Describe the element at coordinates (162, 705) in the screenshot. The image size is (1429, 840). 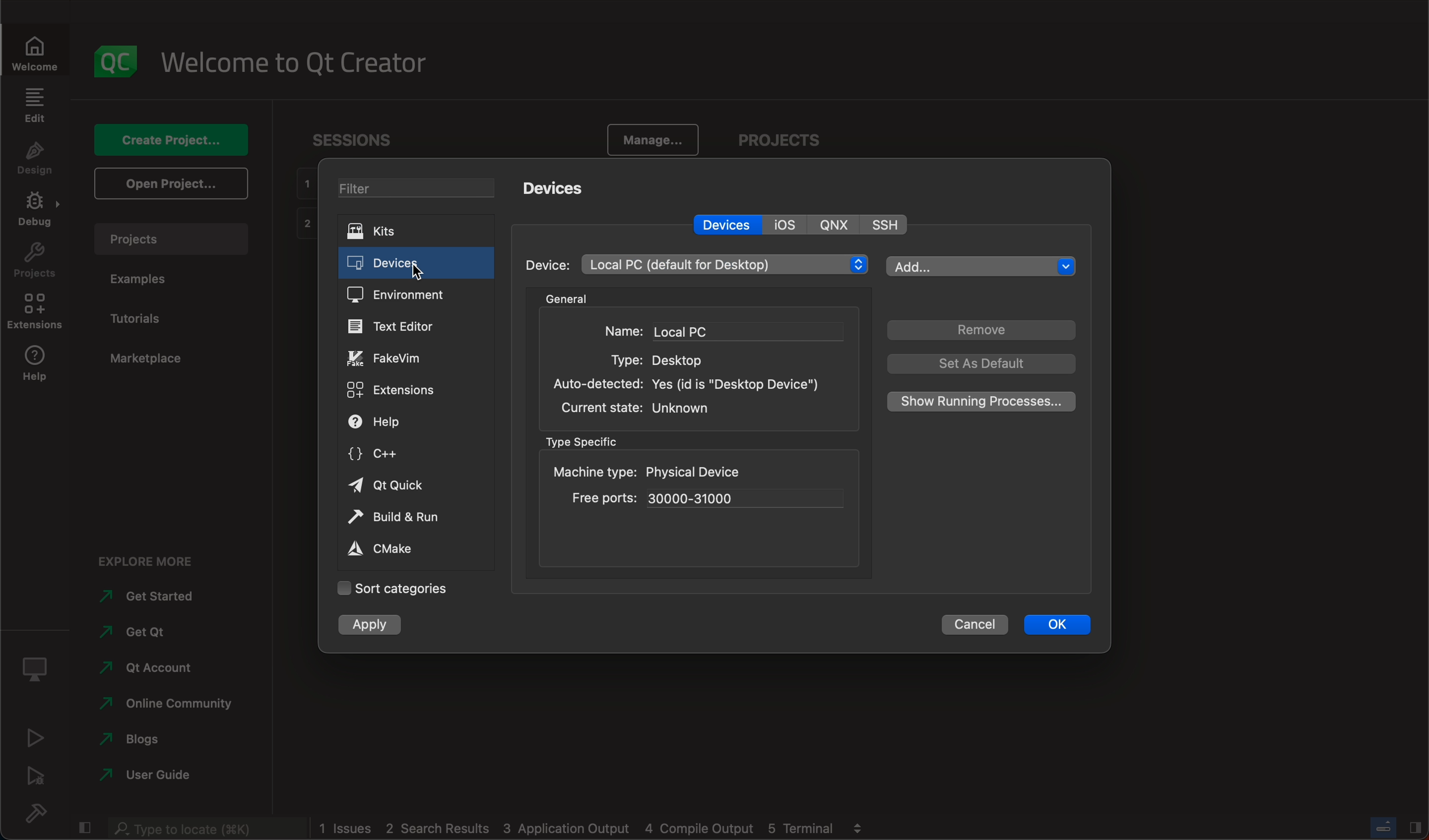
I see `online community` at that location.